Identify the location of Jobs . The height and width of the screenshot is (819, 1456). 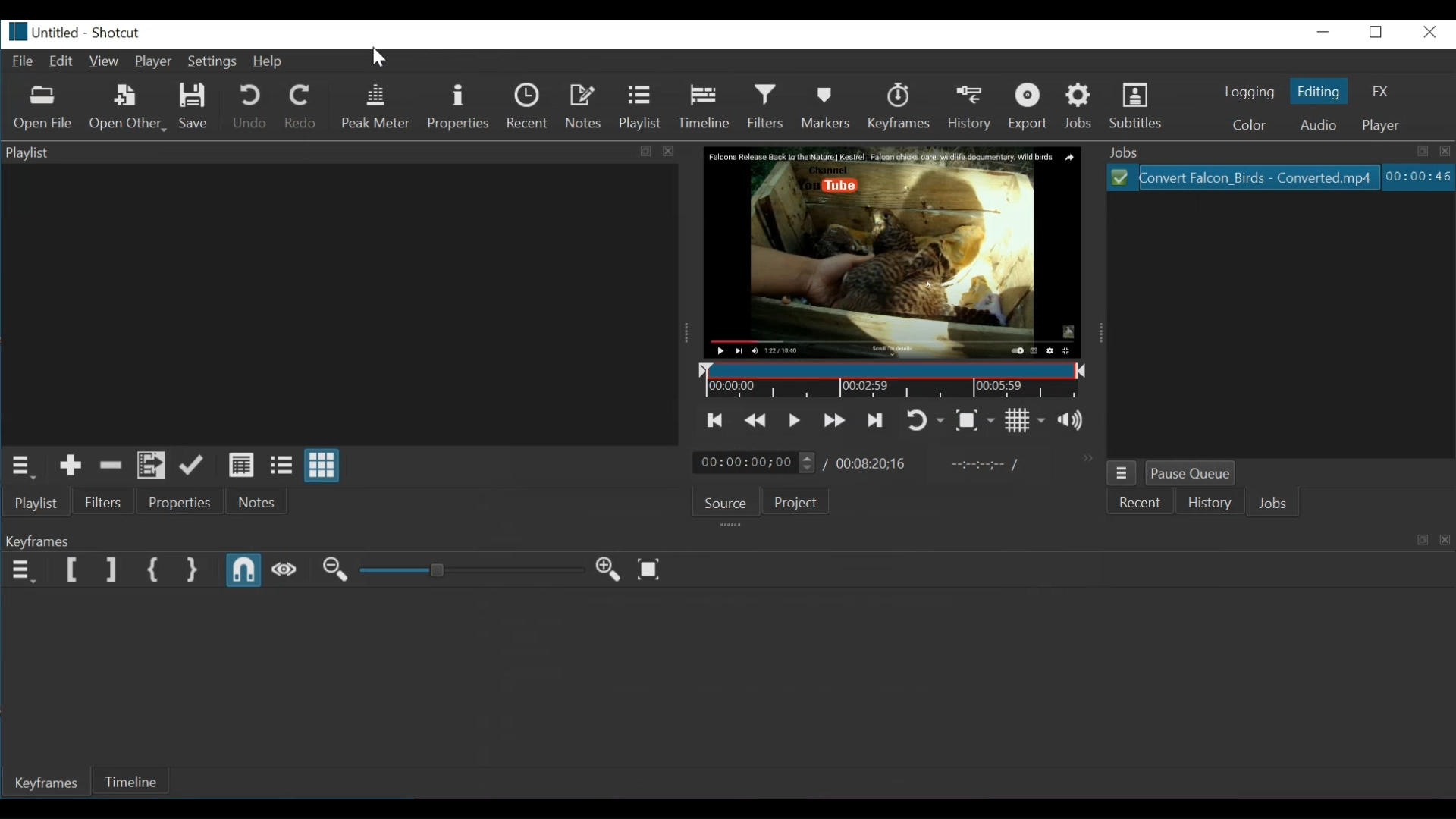
(1276, 151).